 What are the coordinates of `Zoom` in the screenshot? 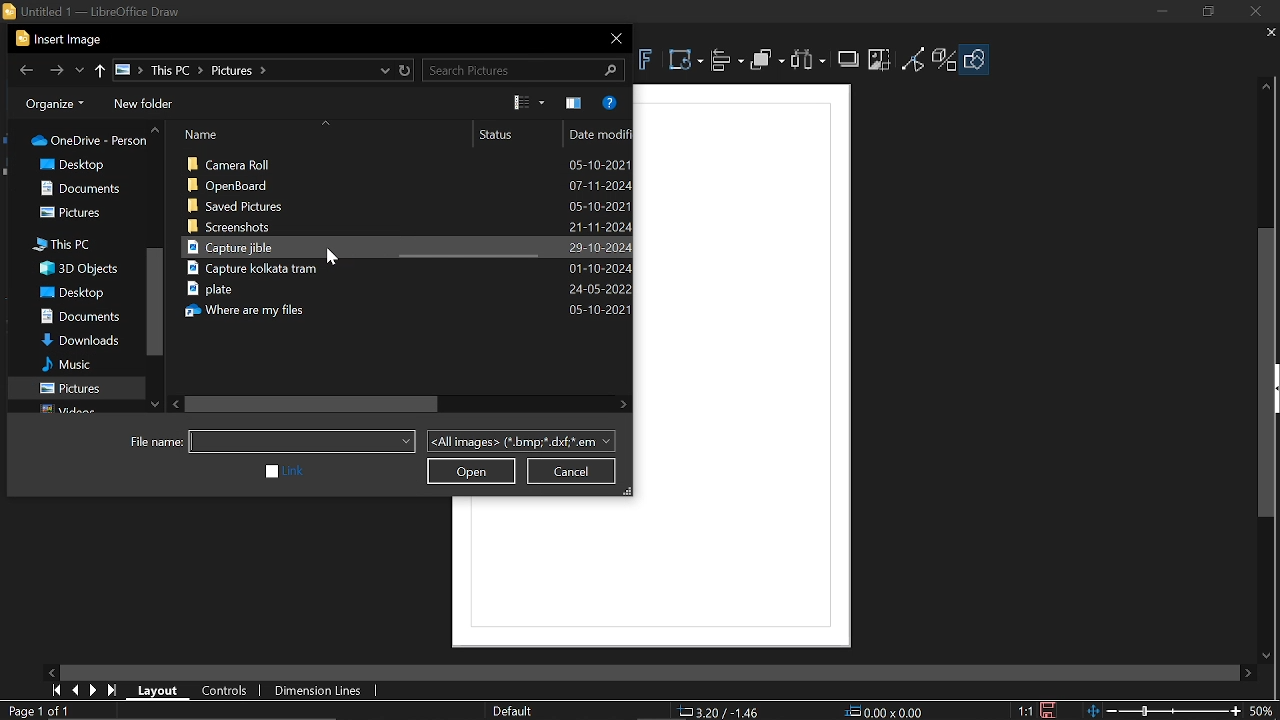 It's located at (1182, 711).